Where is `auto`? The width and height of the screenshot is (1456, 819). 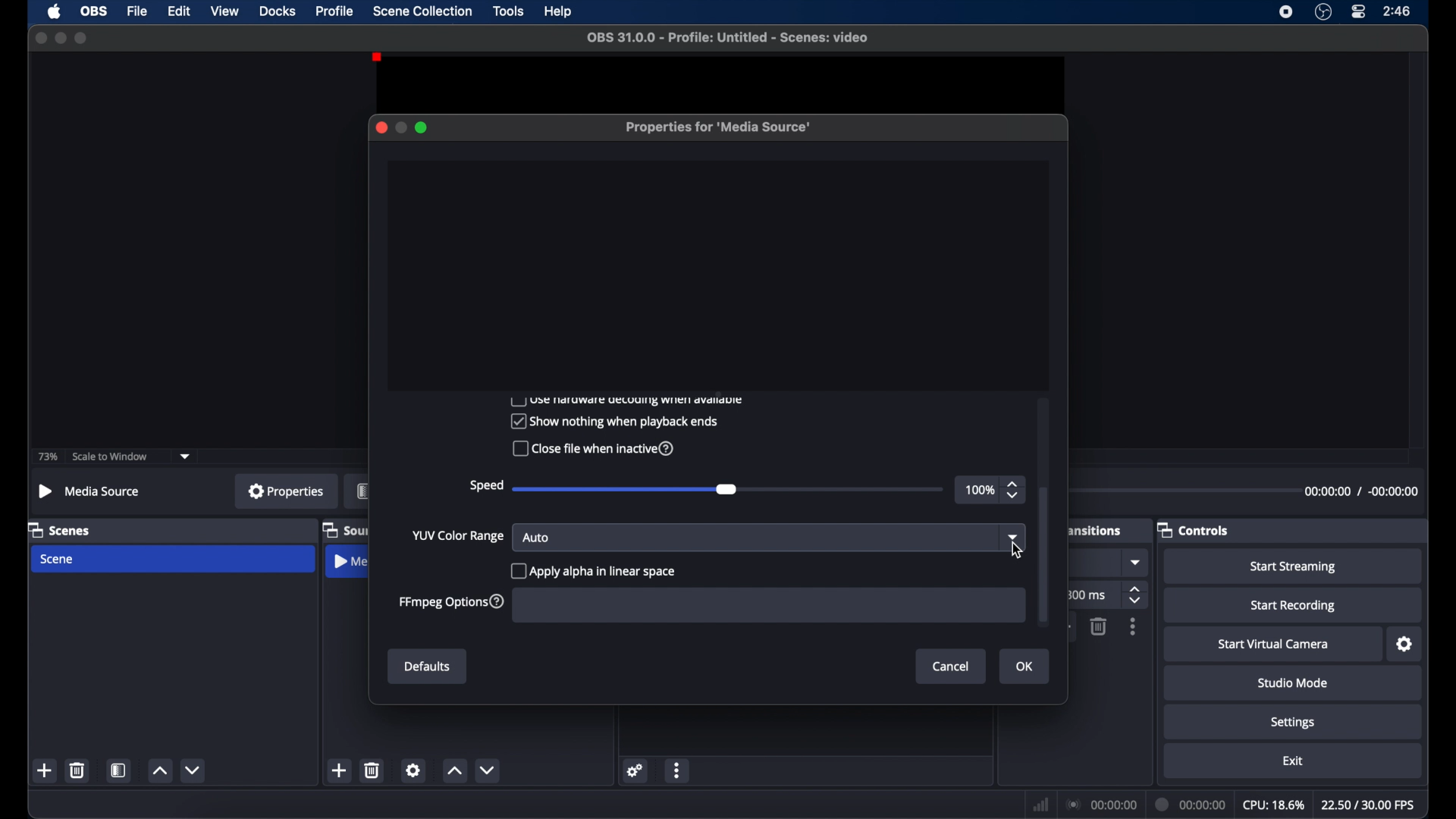 auto is located at coordinates (537, 535).